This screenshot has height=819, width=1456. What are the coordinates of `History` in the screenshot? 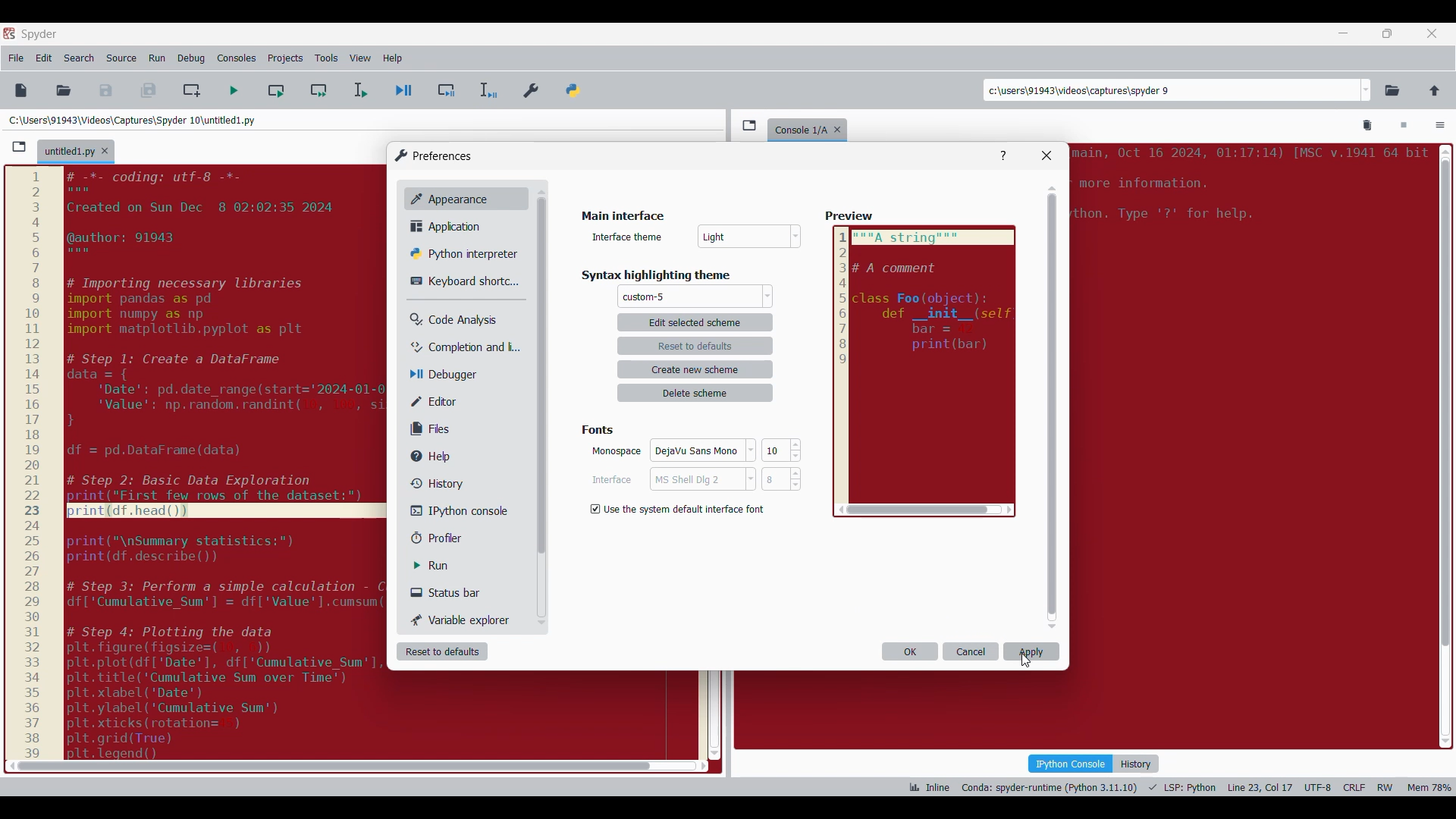 It's located at (1136, 764).